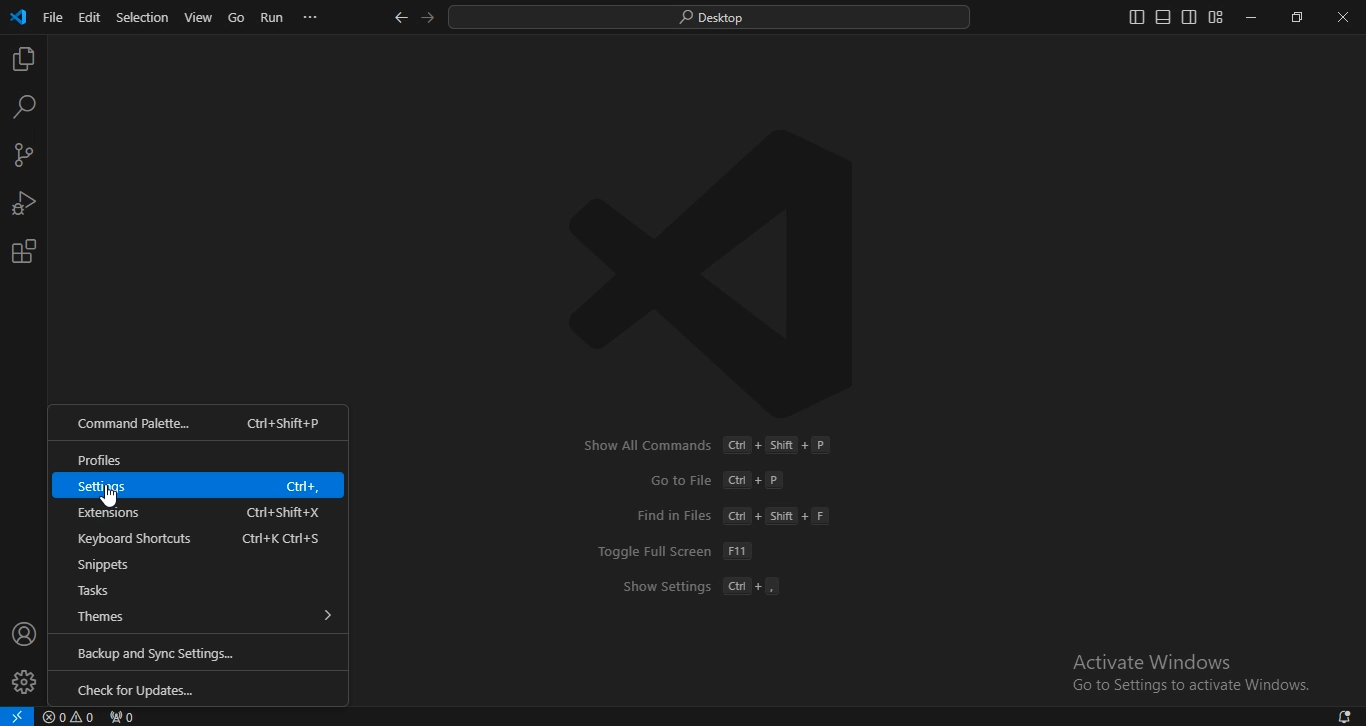  Describe the element at coordinates (202, 691) in the screenshot. I see `check for updates` at that location.